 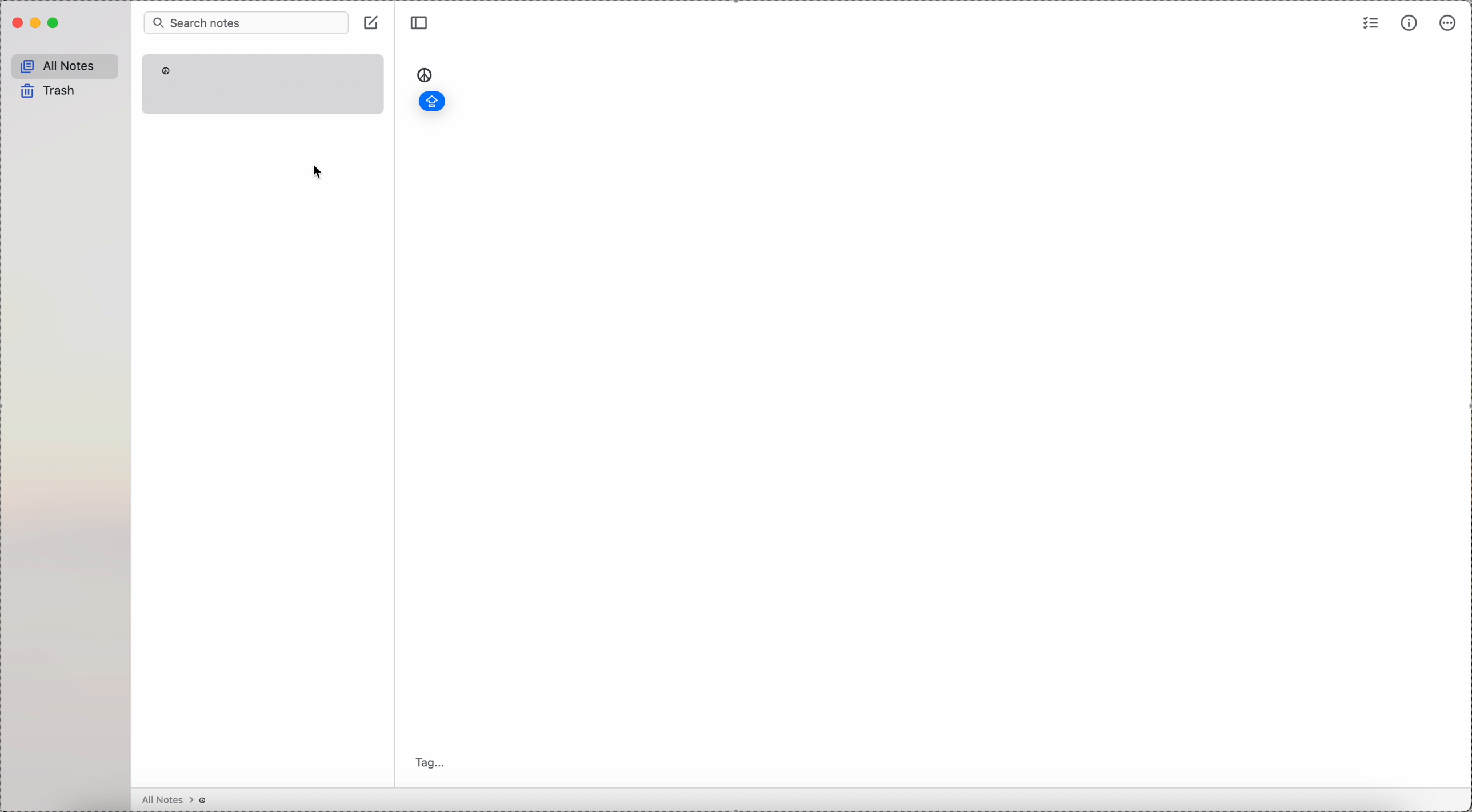 I want to click on more options, so click(x=1449, y=24).